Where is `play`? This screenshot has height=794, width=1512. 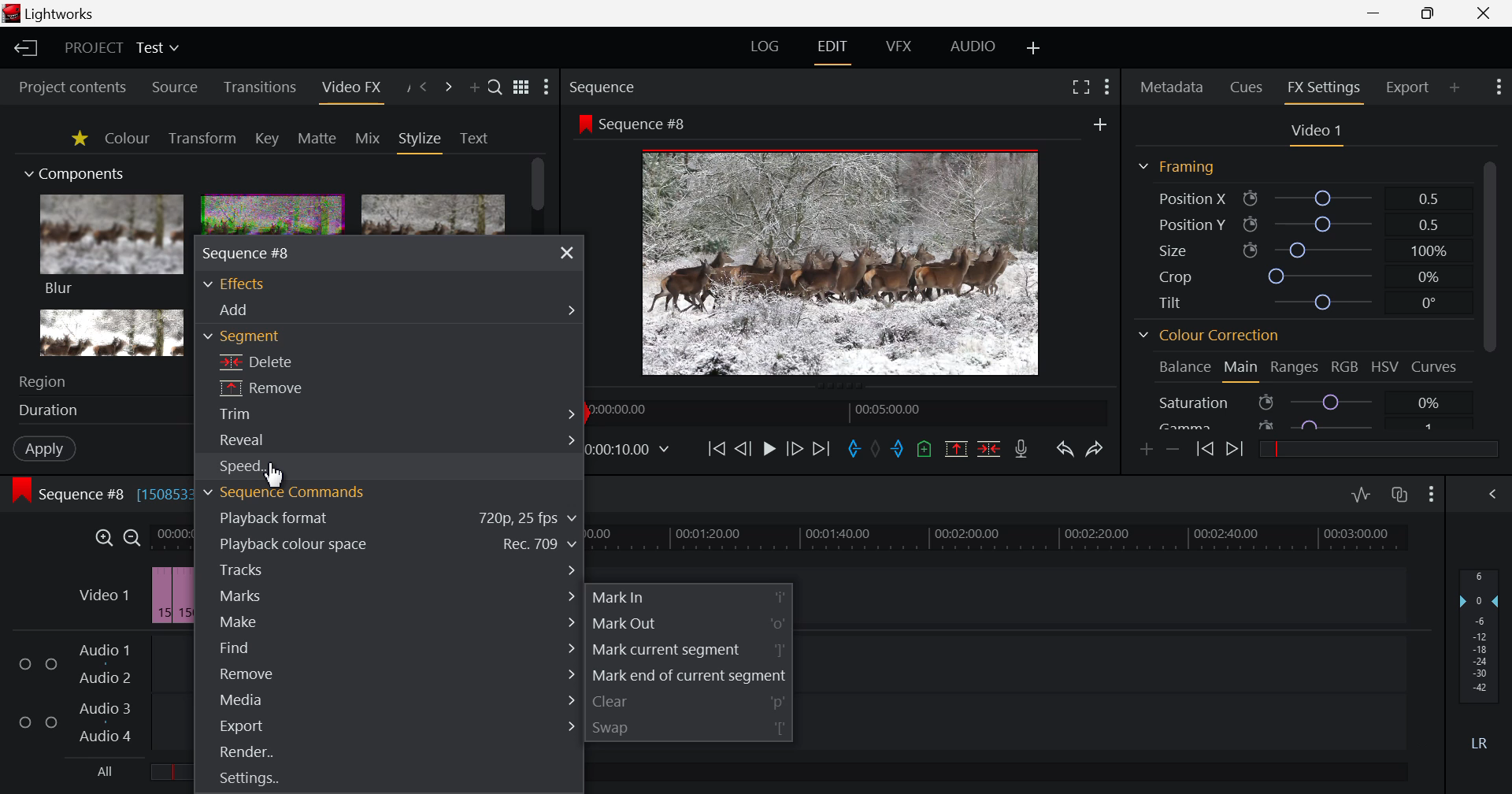 play is located at coordinates (769, 449).